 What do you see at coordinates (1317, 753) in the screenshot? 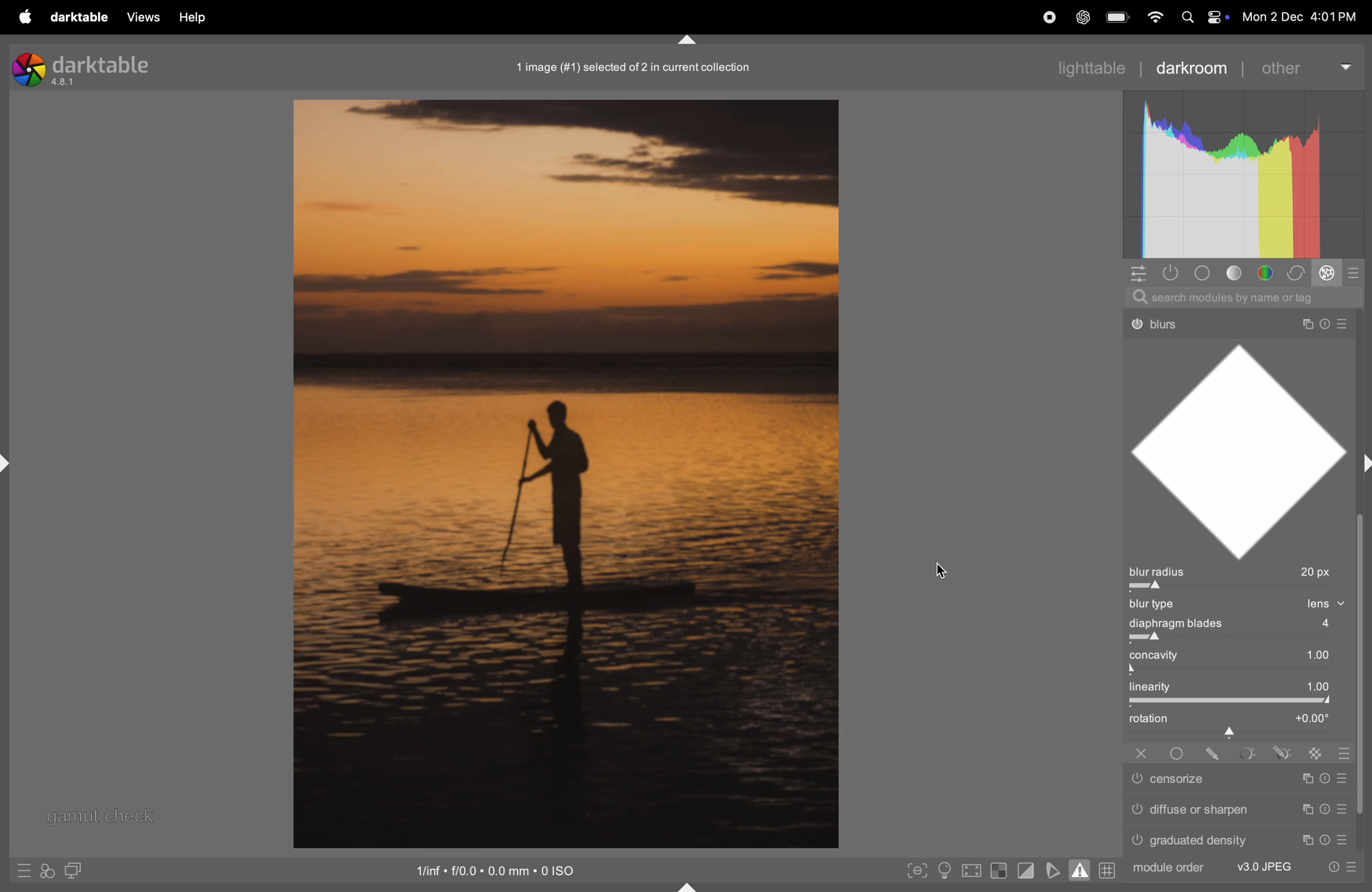
I see `` at bounding box center [1317, 753].